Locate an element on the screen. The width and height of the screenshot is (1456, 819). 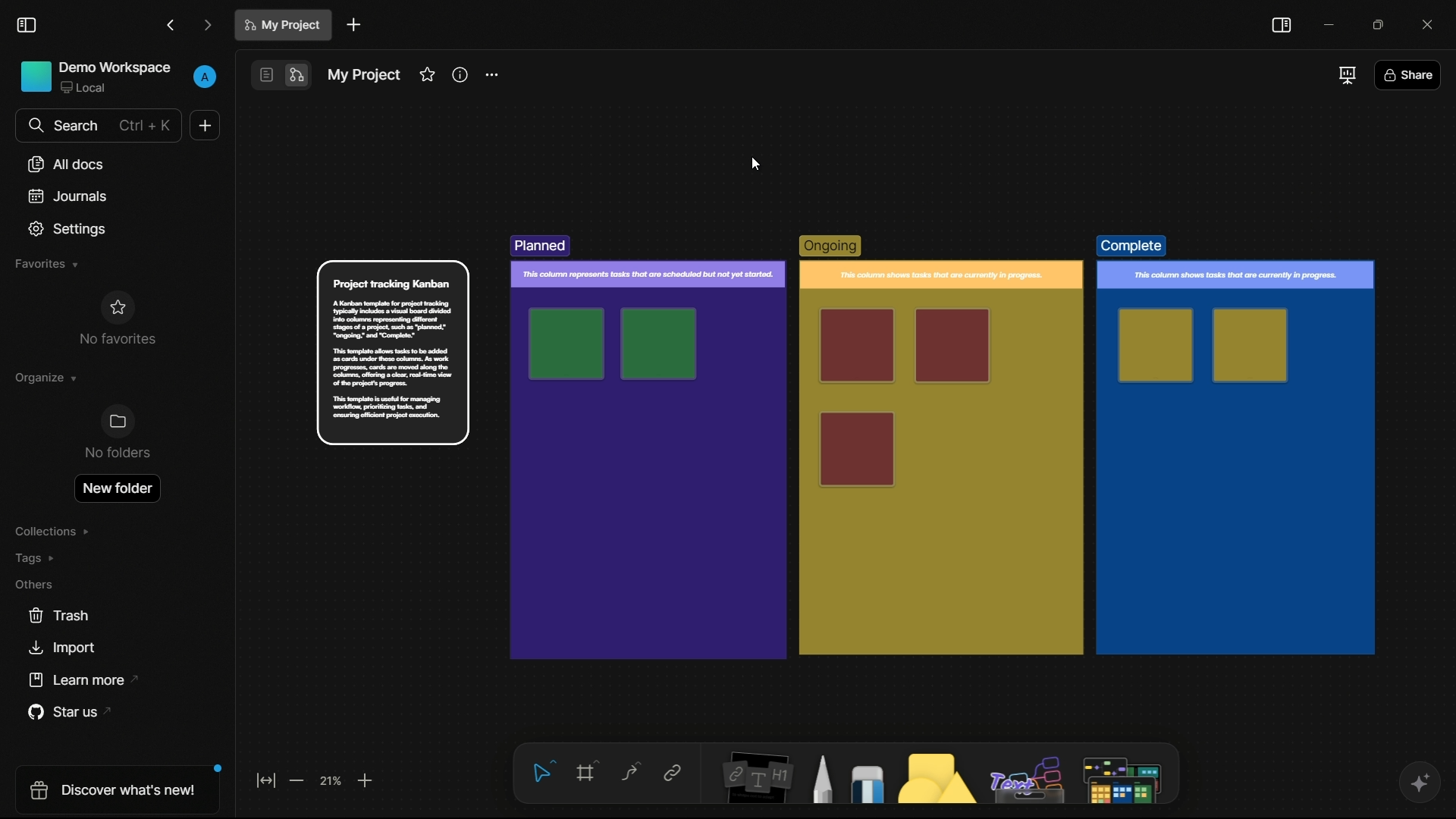
journals is located at coordinates (68, 196).